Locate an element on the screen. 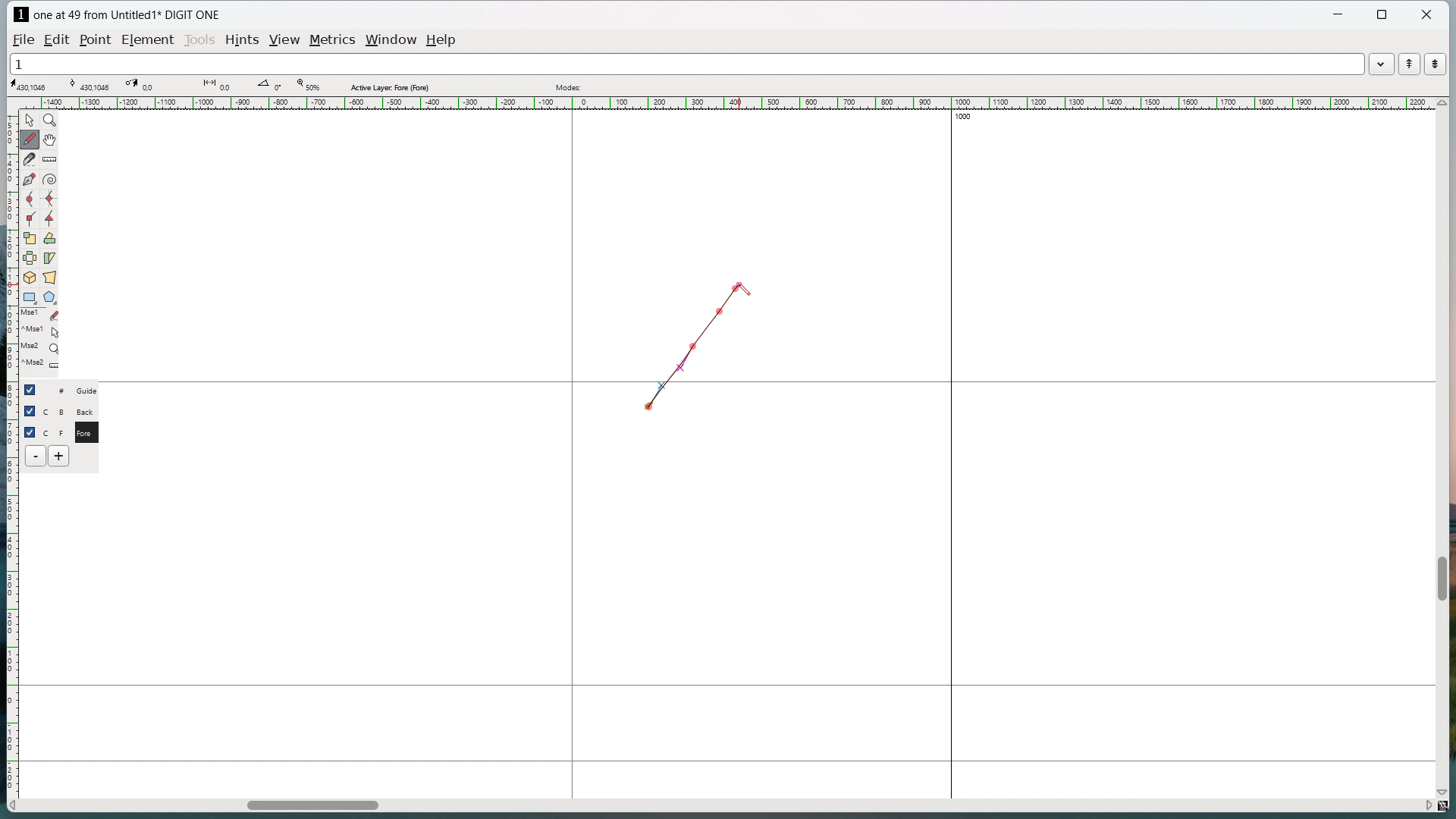 The width and height of the screenshot is (1456, 819). close is located at coordinates (1426, 14).